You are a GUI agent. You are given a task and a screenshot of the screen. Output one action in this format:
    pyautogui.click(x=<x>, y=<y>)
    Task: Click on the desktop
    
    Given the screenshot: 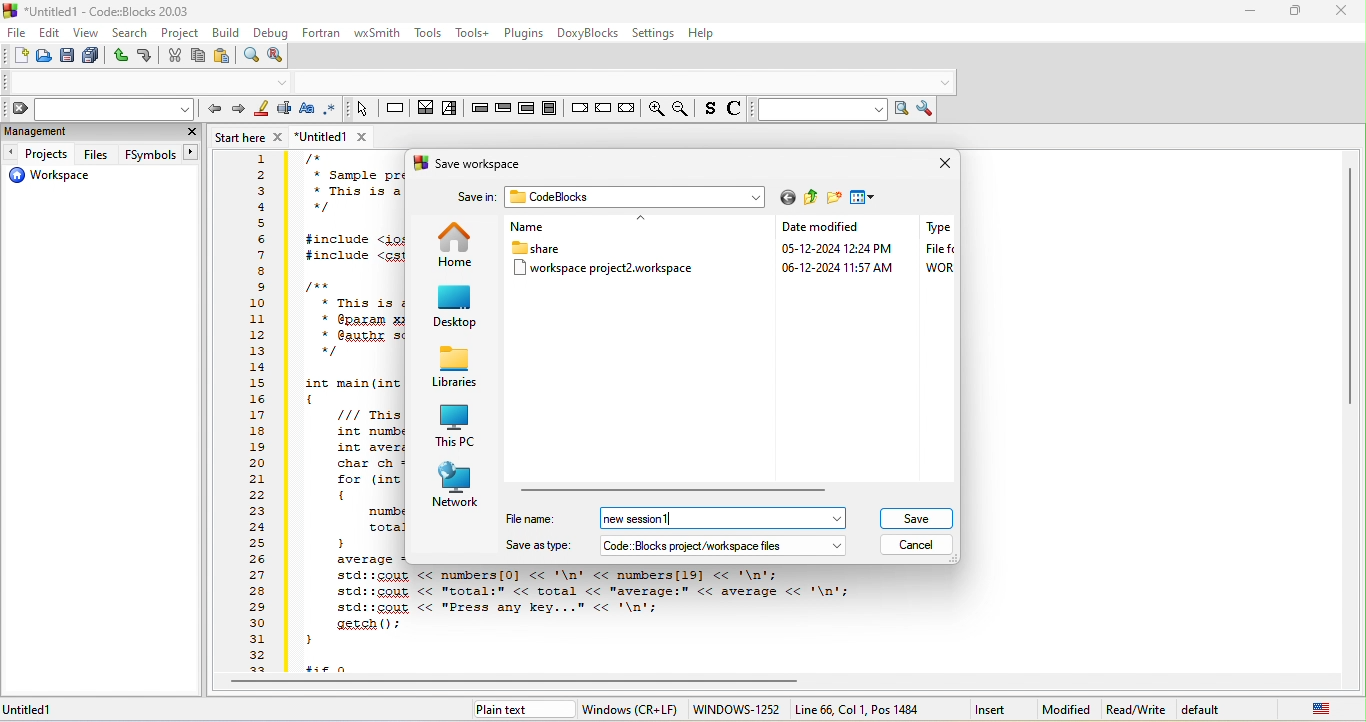 What is the action you would take?
    pyautogui.click(x=456, y=307)
    